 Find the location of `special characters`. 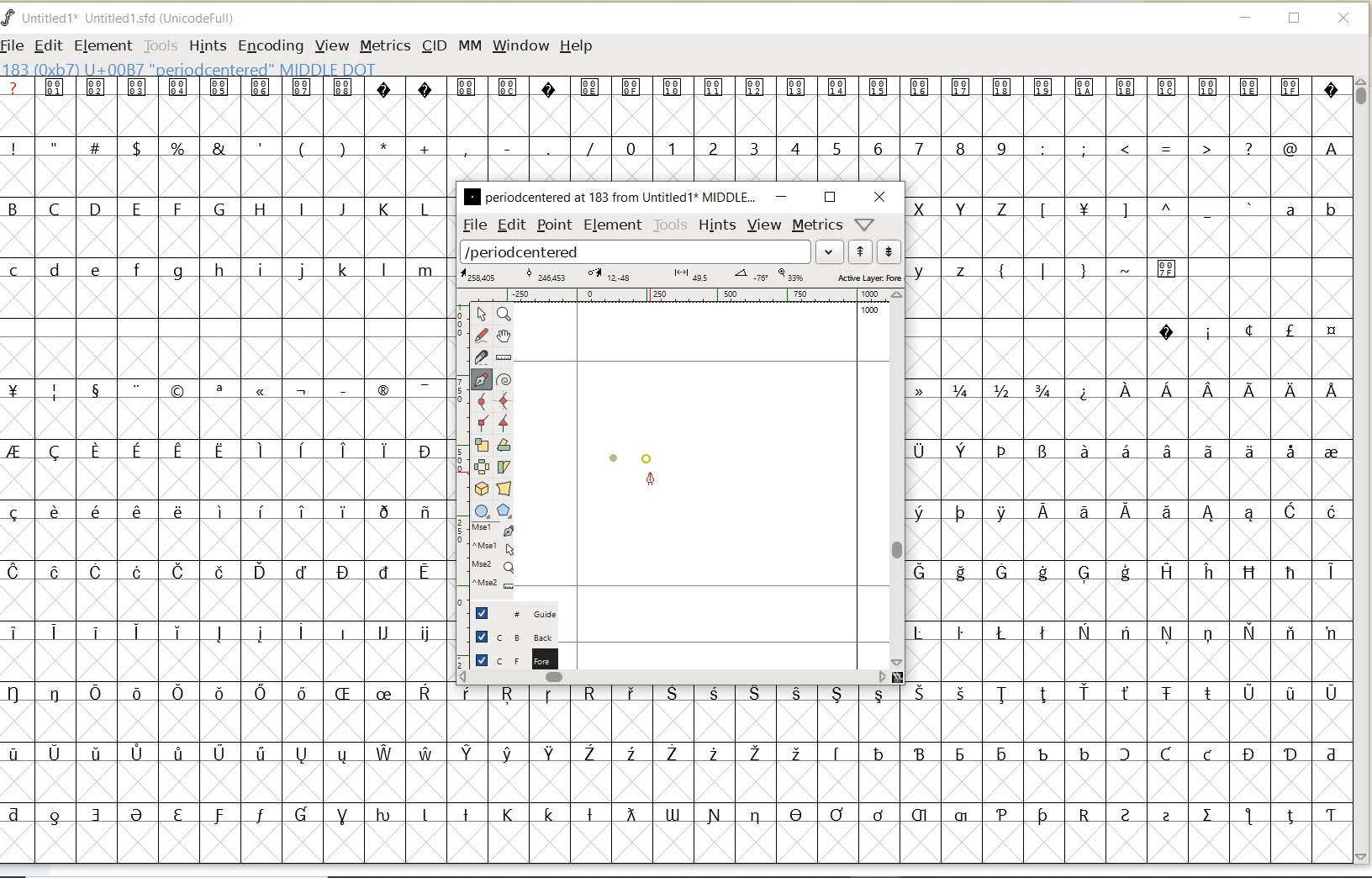

special characters is located at coordinates (1193, 149).